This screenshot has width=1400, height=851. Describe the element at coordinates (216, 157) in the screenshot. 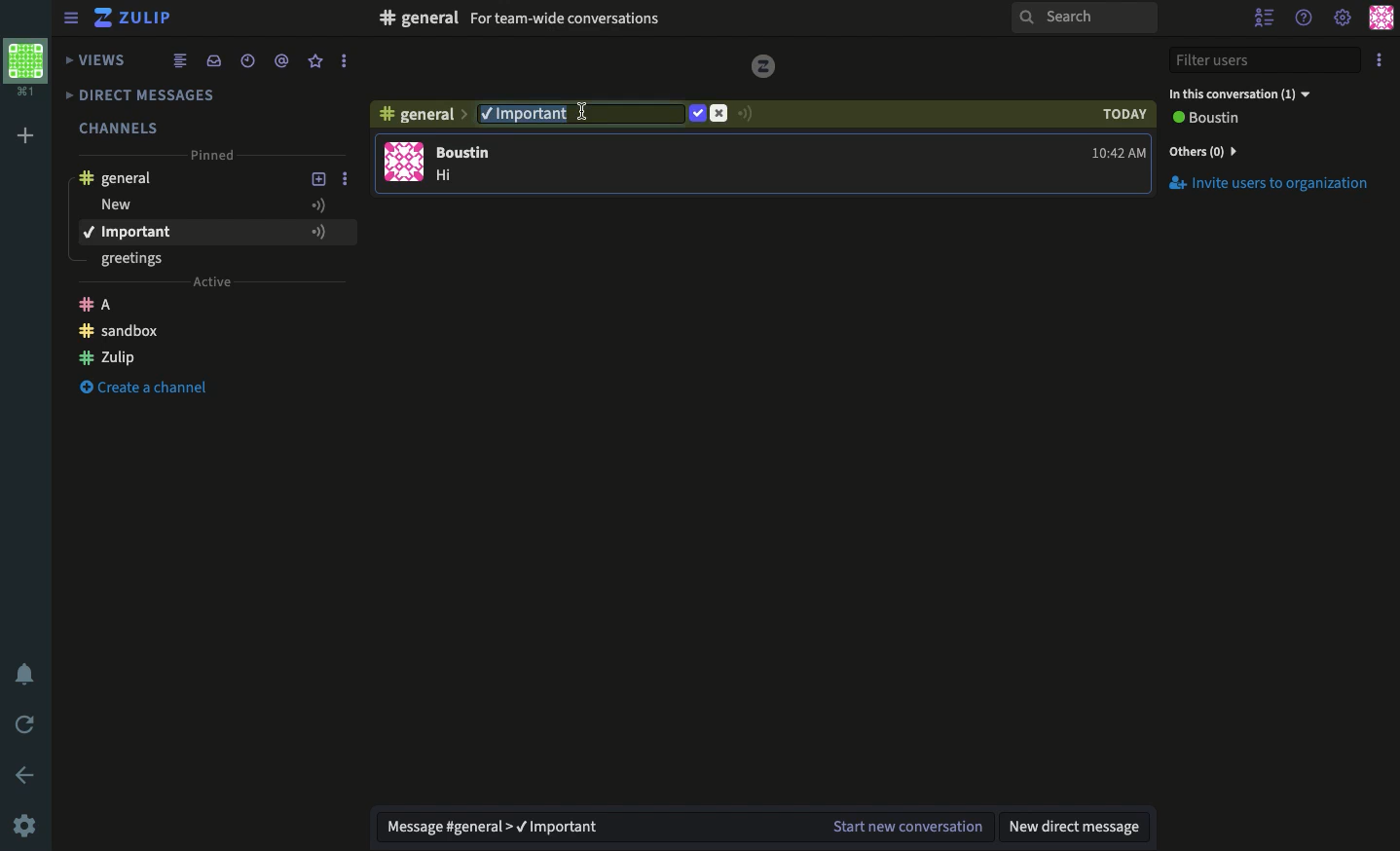

I see `Pinned` at that location.